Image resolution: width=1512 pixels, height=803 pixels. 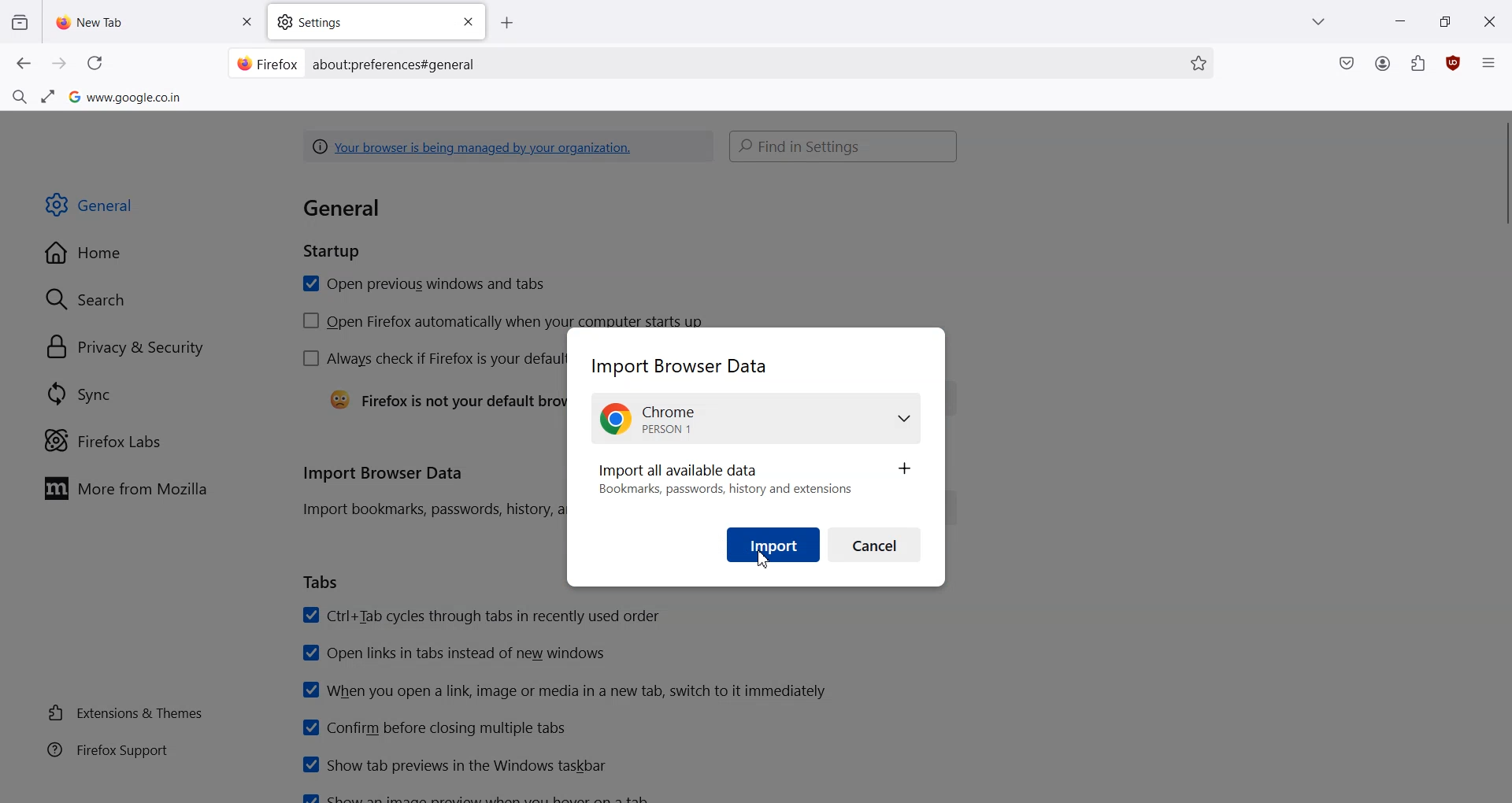 What do you see at coordinates (1198, 63) in the screenshot?
I see `Favorites` at bounding box center [1198, 63].